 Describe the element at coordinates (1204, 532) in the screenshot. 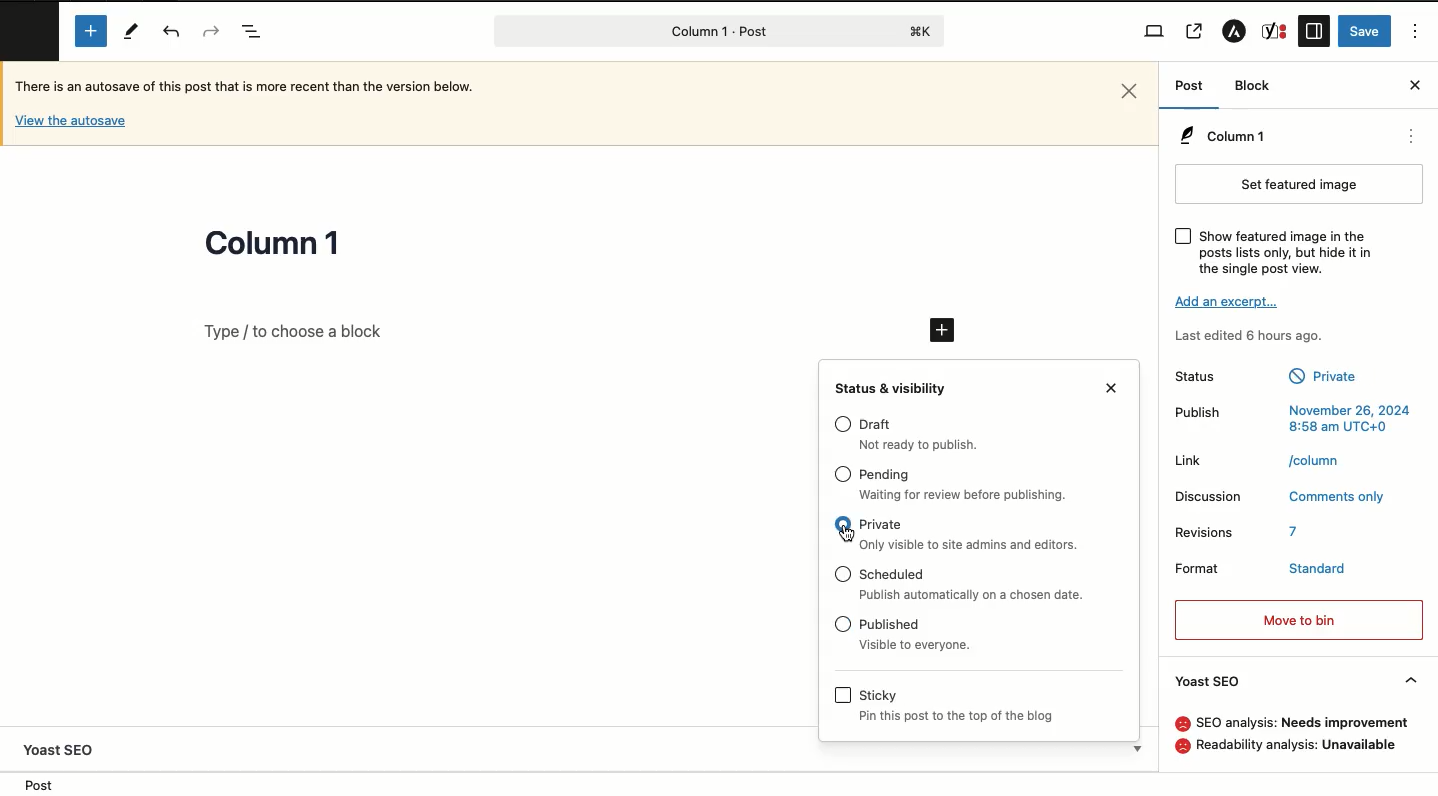

I see `Revisions` at that location.